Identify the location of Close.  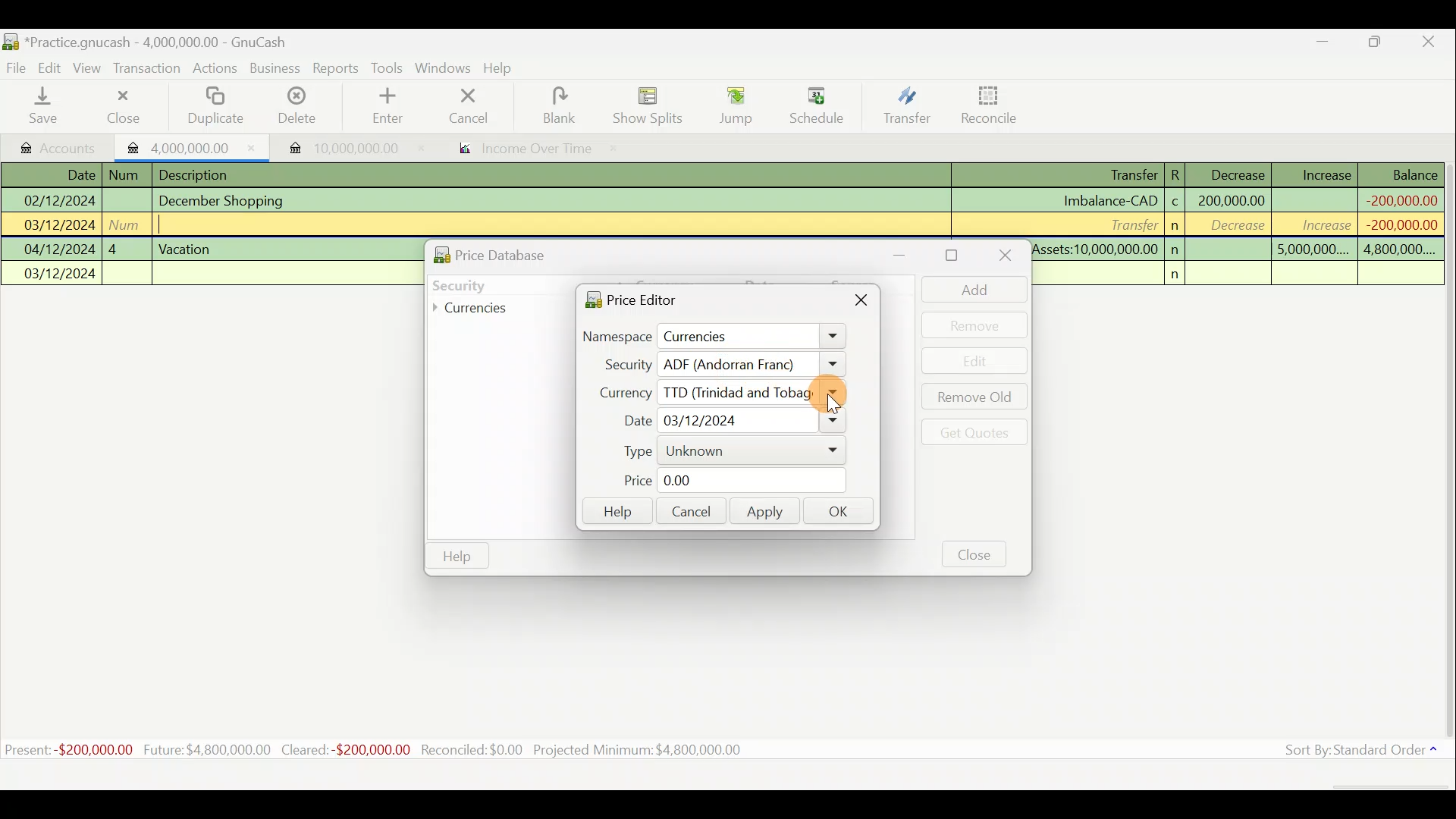
(975, 554).